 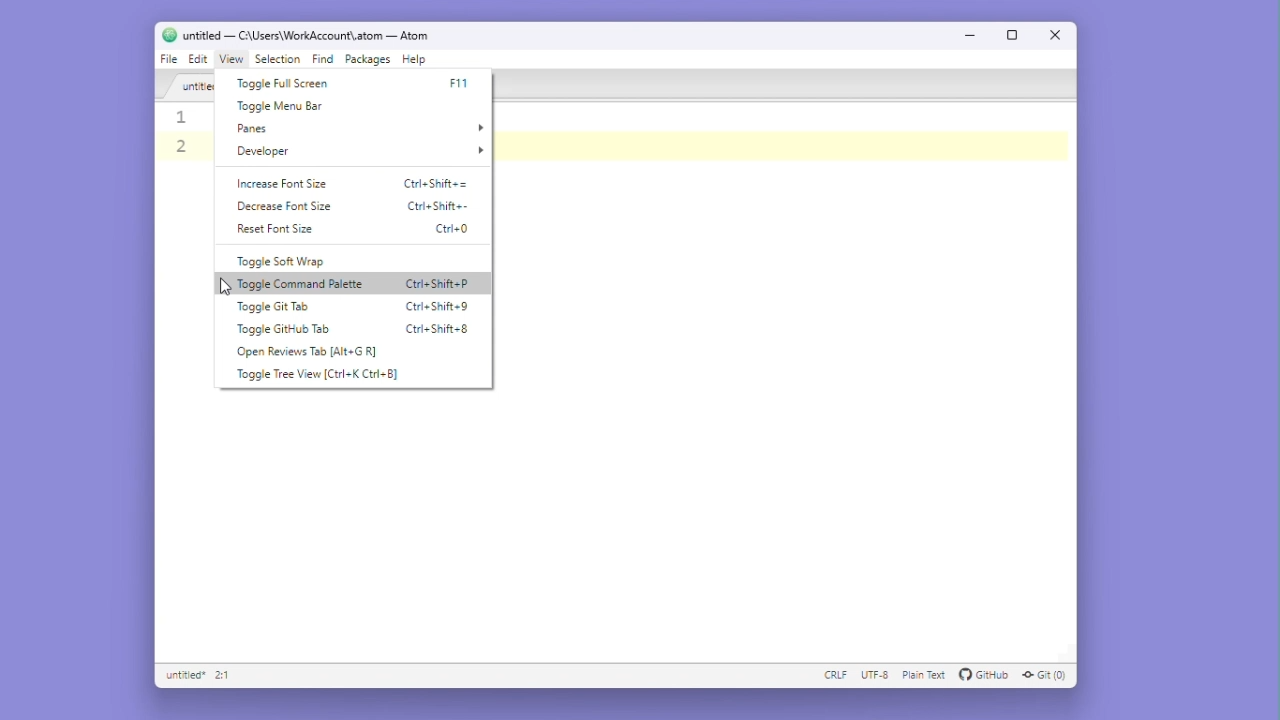 What do you see at coordinates (1047, 677) in the screenshot?
I see `git (0)` at bounding box center [1047, 677].